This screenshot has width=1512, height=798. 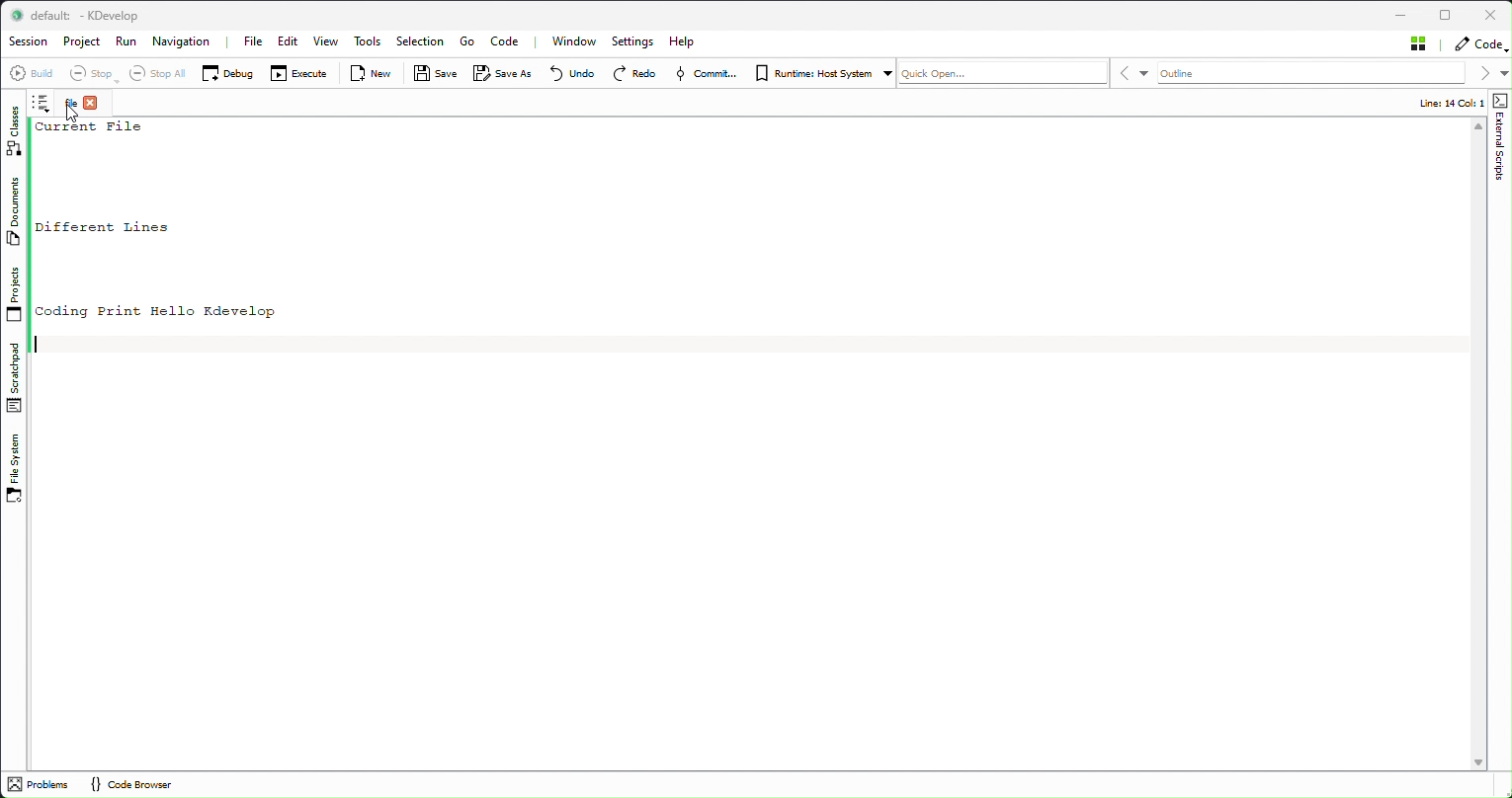 I want to click on File, so click(x=83, y=105).